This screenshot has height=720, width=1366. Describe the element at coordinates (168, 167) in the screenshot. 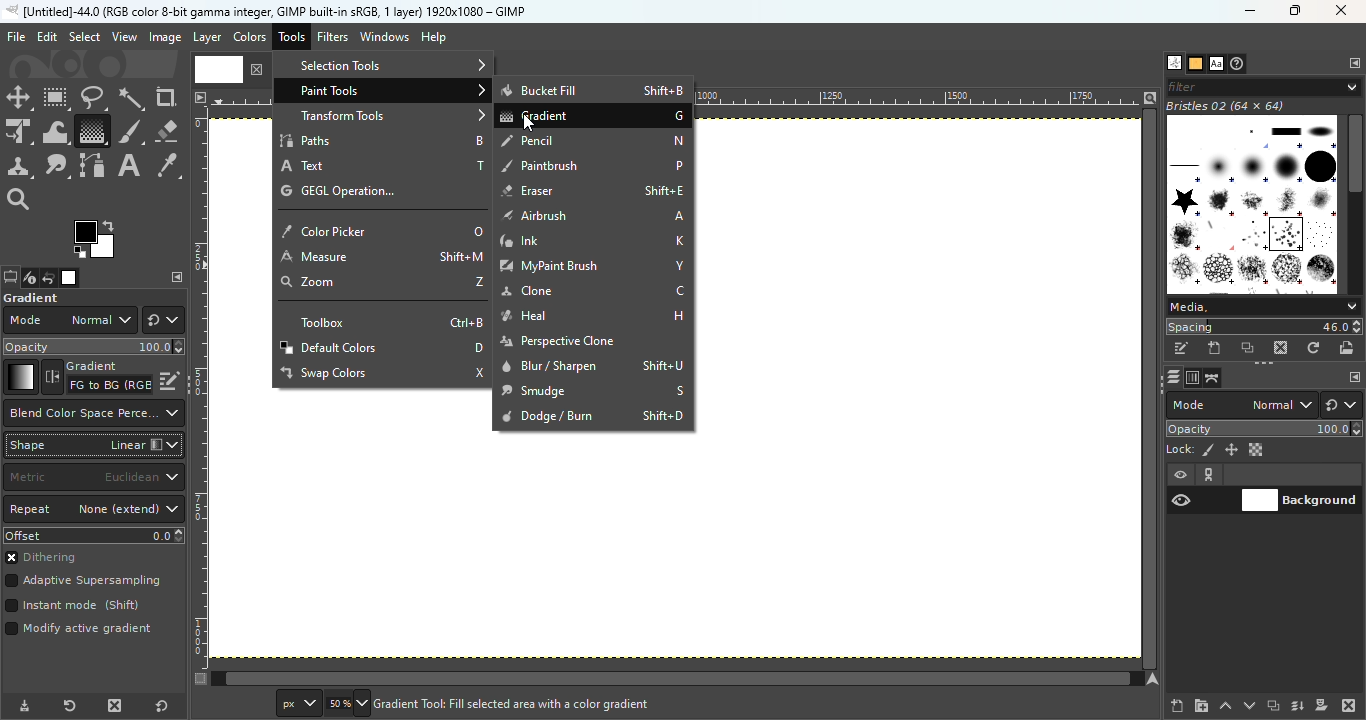

I see `Color picker tool` at that location.